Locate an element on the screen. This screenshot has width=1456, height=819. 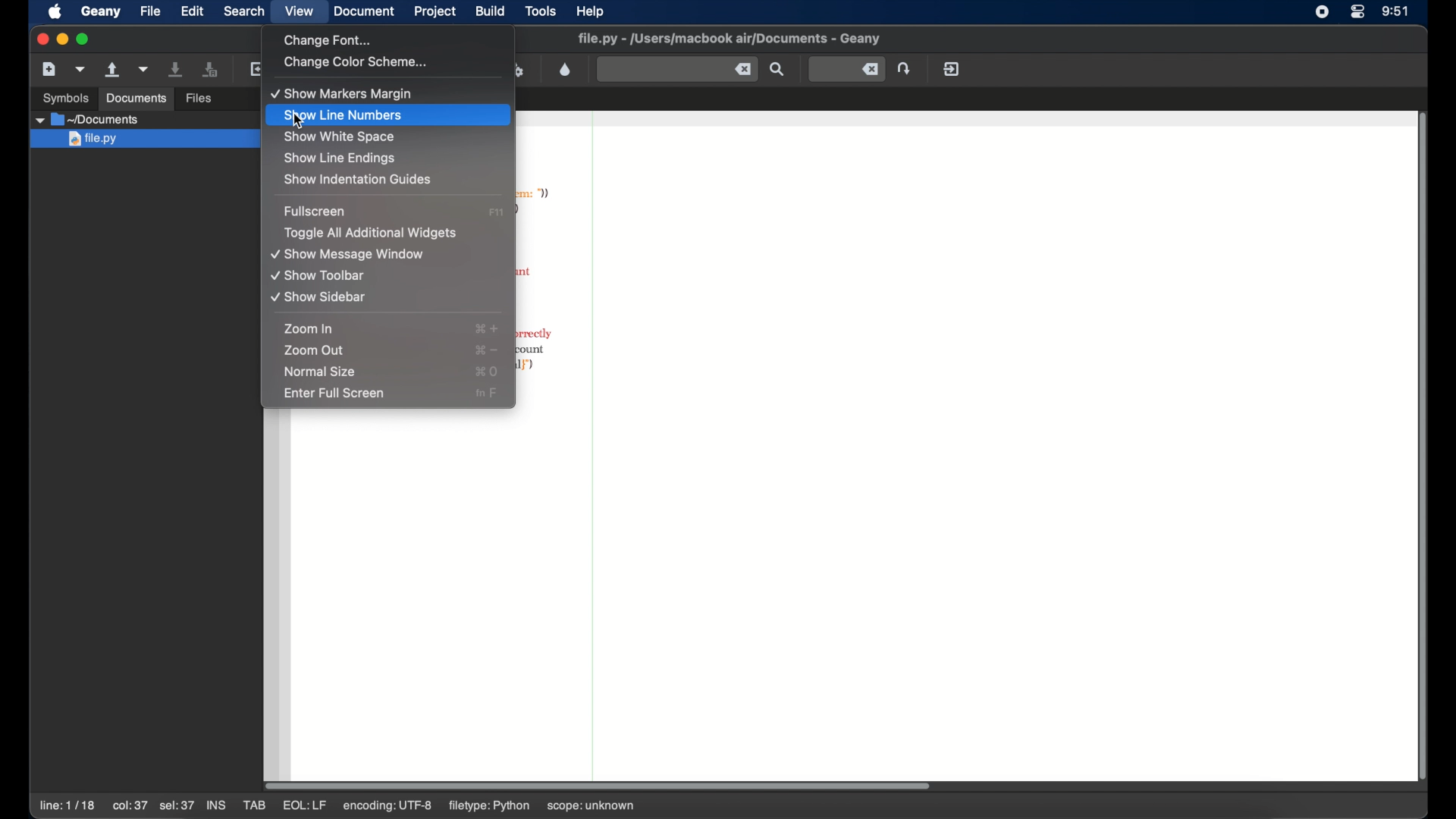
show line numbers highlighted is located at coordinates (388, 115).